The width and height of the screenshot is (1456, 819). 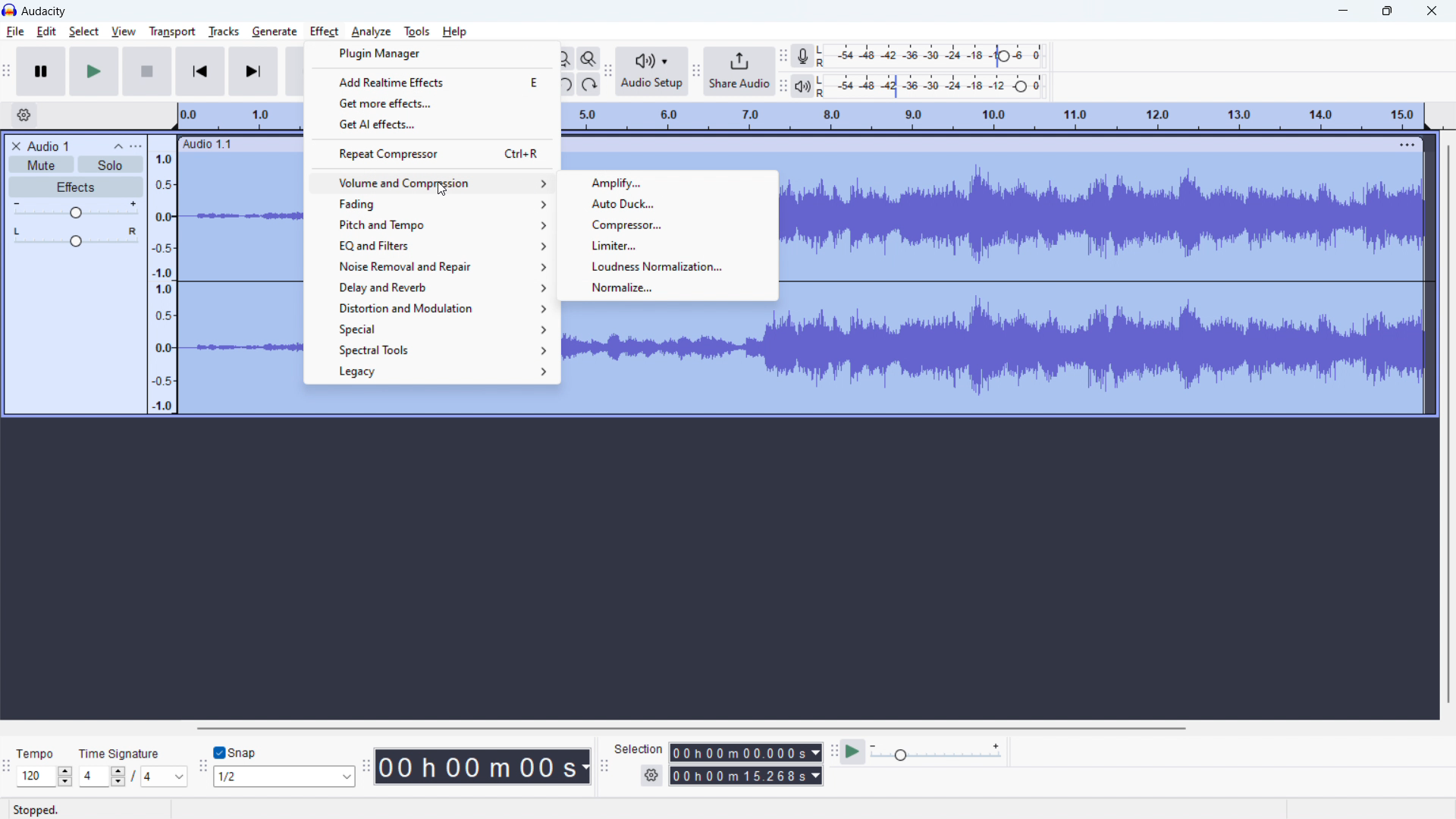 I want to click on skip to start, so click(x=200, y=71).